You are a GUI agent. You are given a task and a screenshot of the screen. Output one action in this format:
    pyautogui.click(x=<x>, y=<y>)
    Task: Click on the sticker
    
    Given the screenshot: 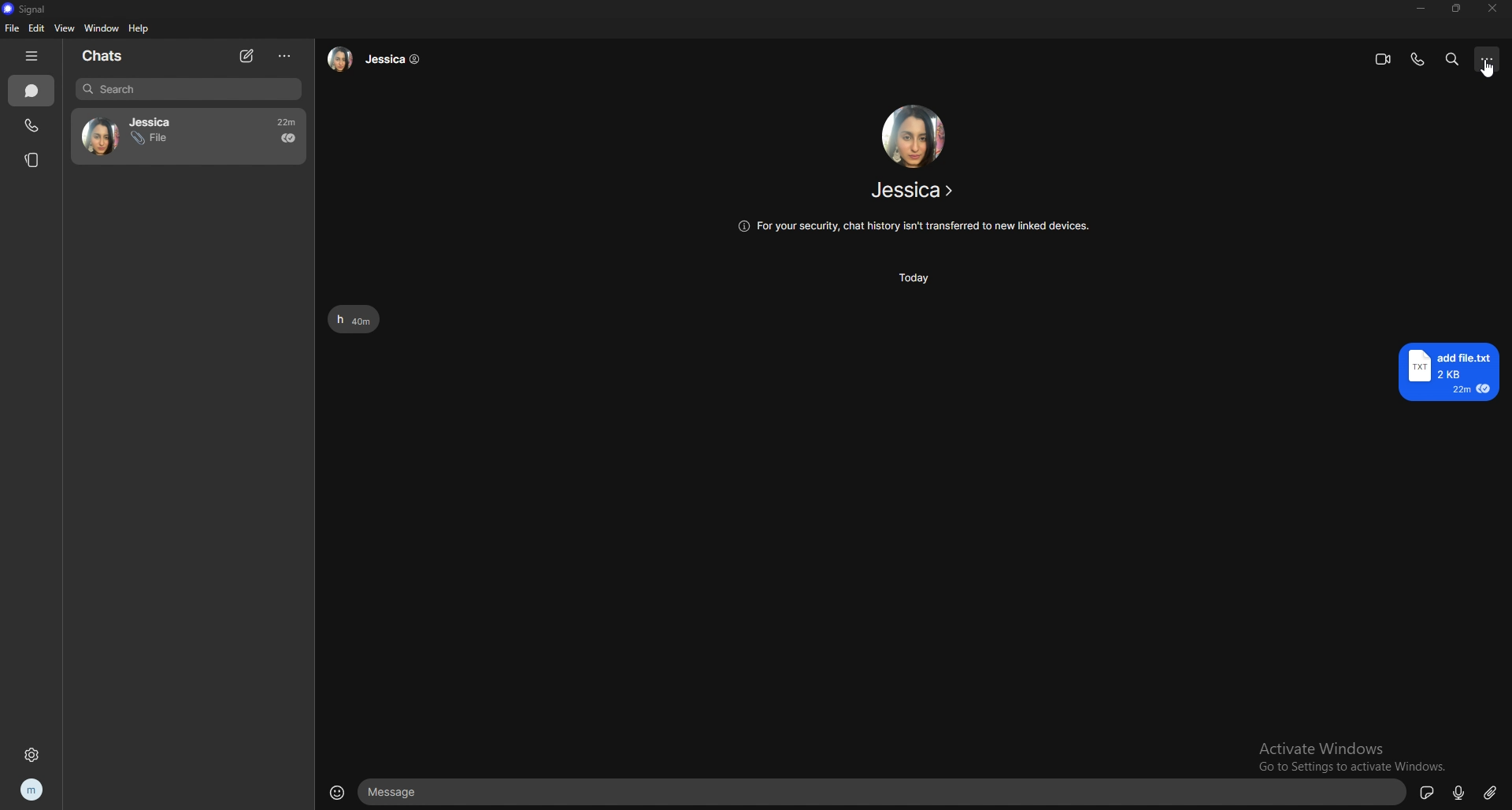 What is the action you would take?
    pyautogui.click(x=1428, y=791)
    